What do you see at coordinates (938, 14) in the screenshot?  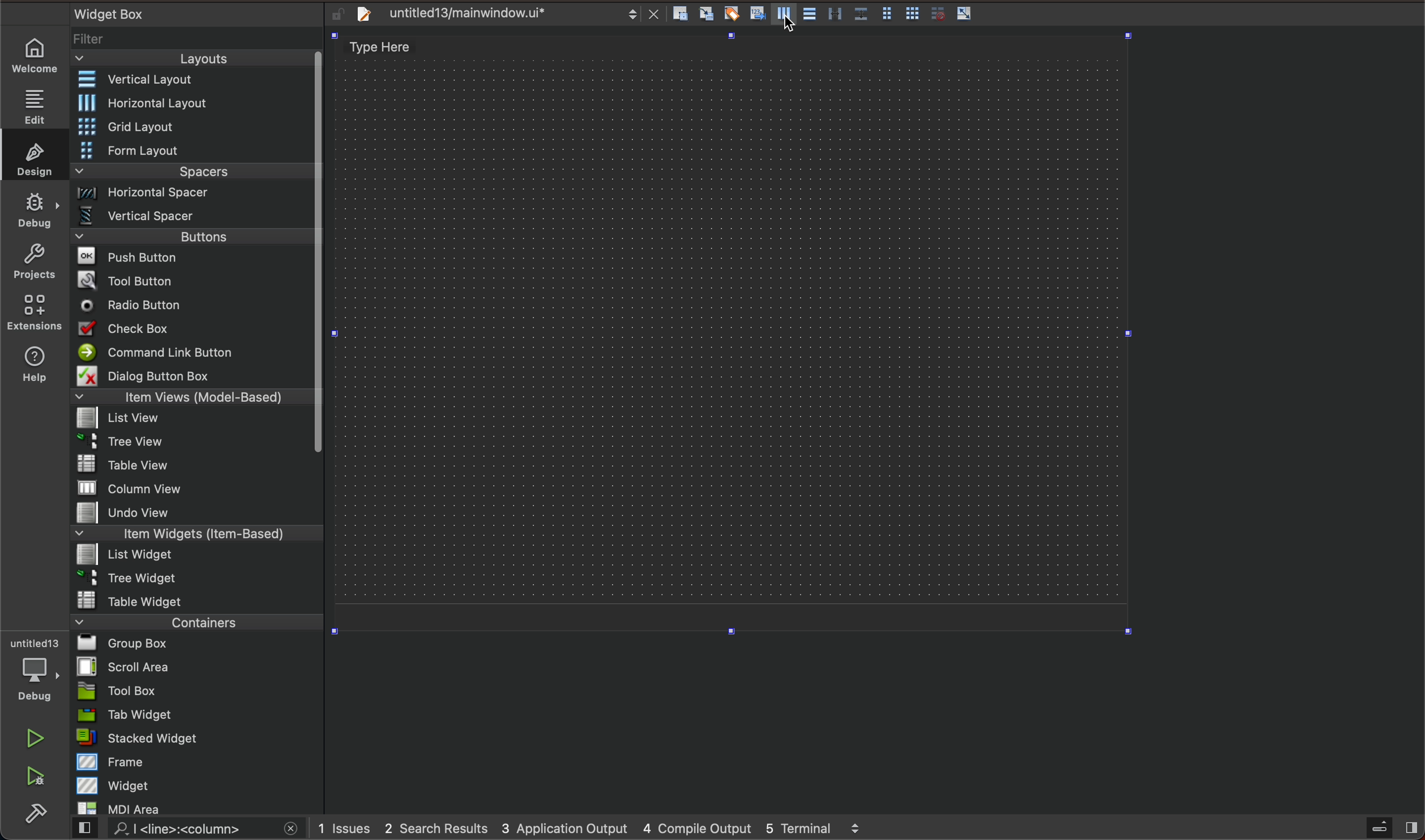 I see `` at bounding box center [938, 14].